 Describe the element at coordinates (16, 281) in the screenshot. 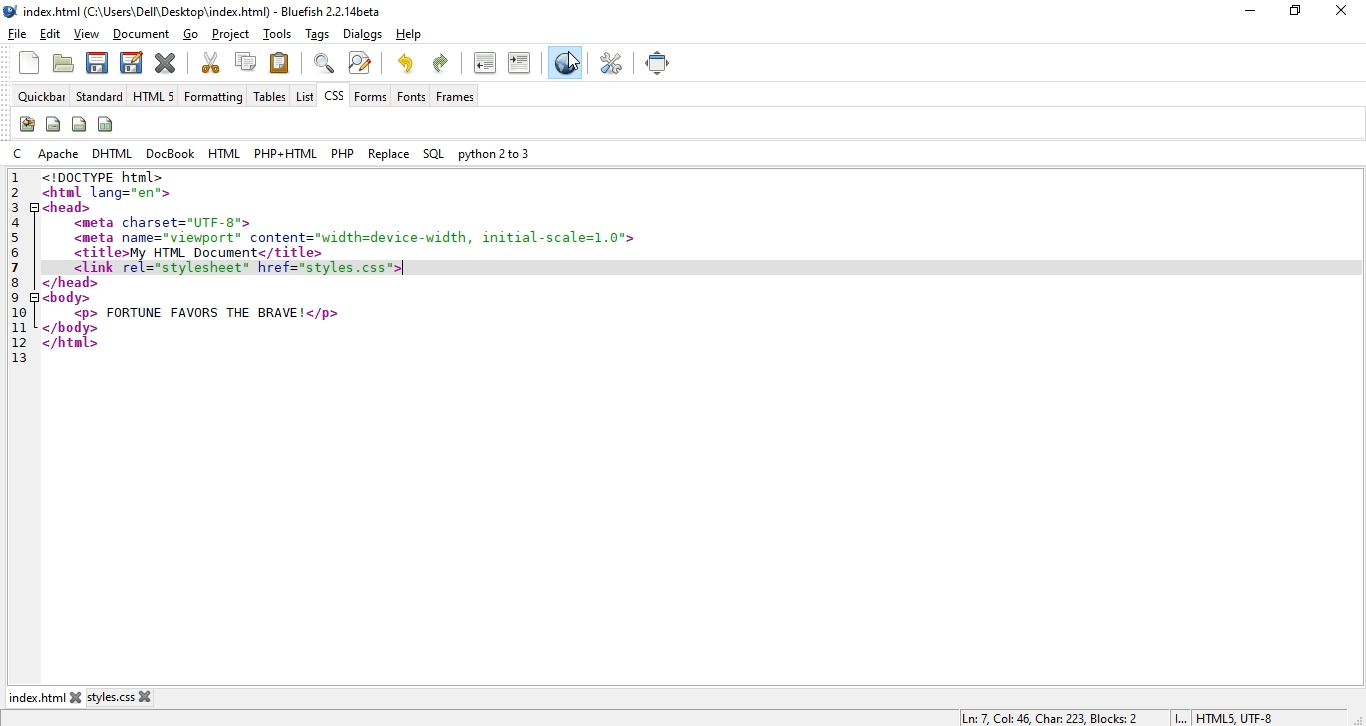

I see `8` at that location.